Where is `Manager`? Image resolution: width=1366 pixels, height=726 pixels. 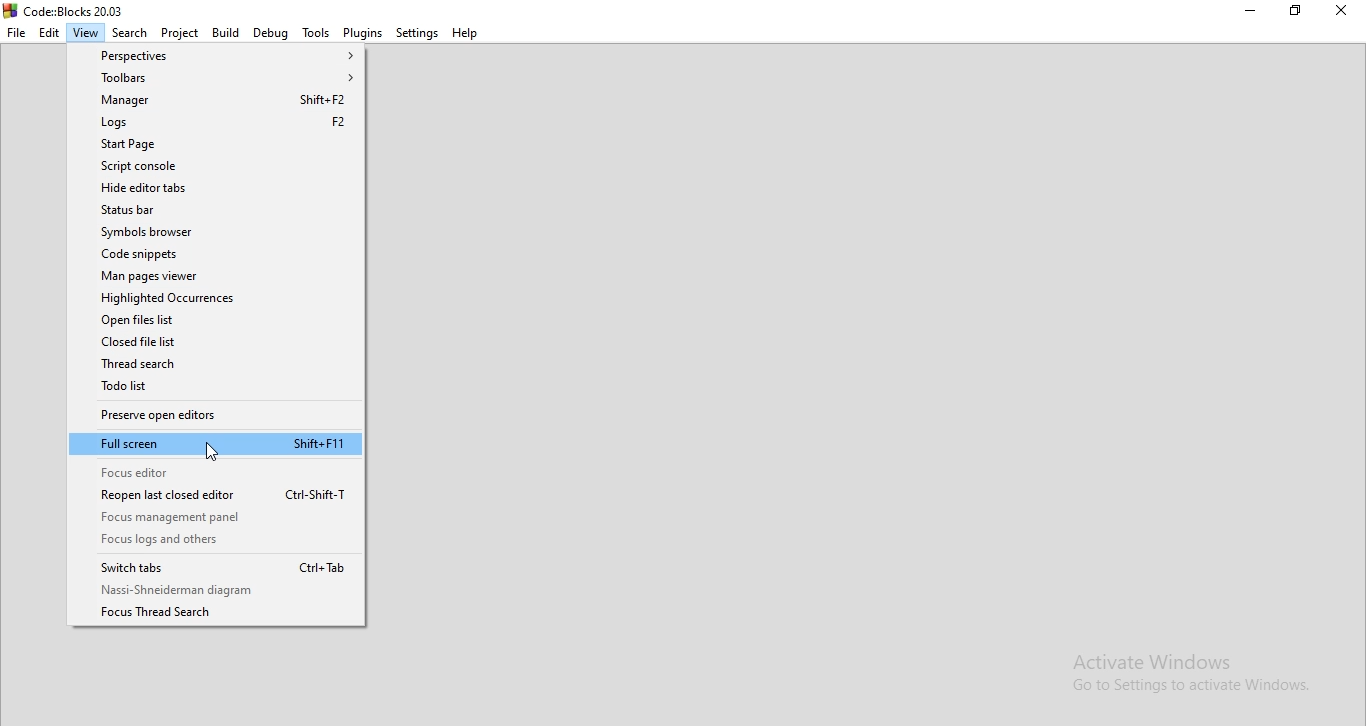 Manager is located at coordinates (210, 99).